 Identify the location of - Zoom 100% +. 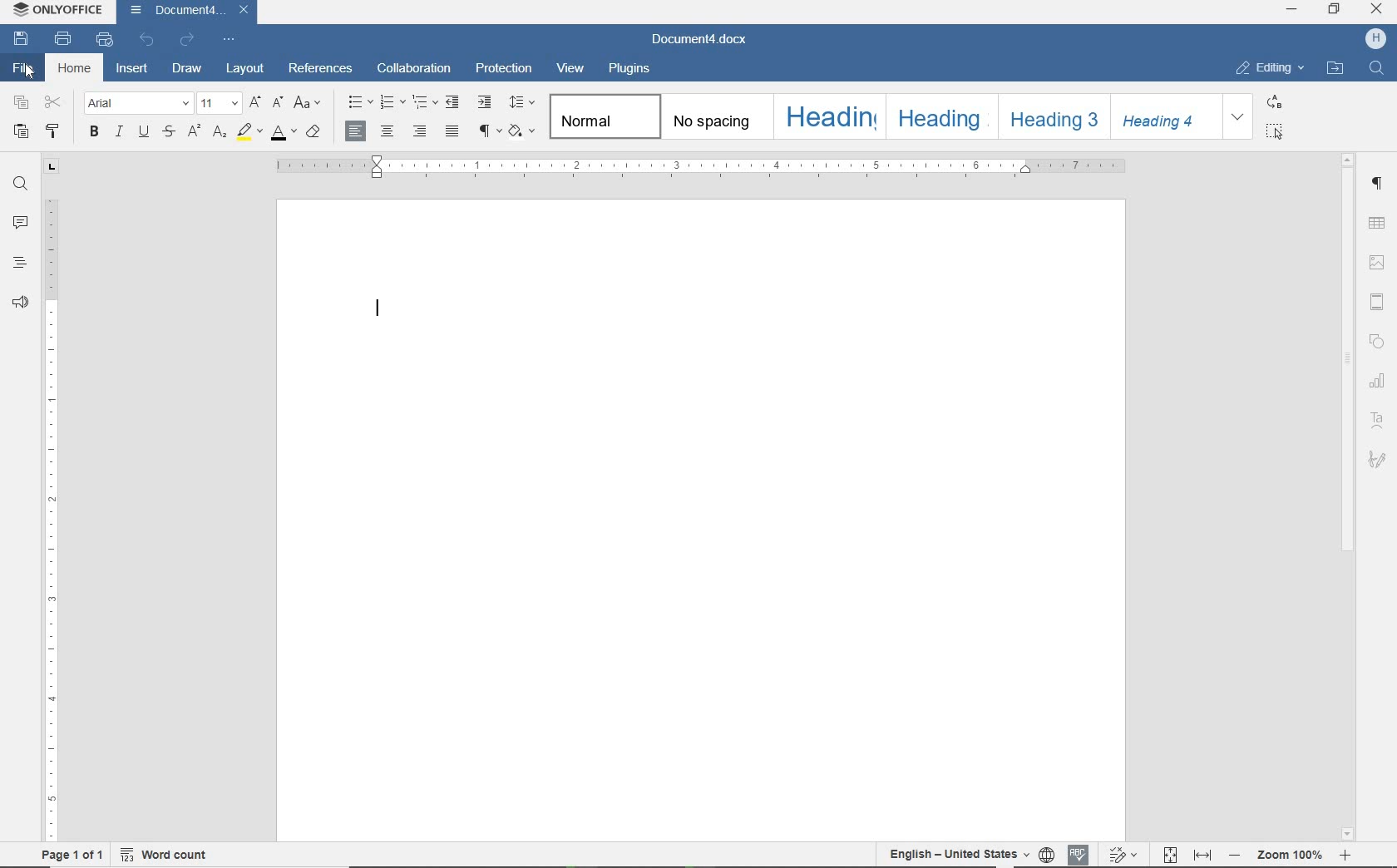
(1290, 857).